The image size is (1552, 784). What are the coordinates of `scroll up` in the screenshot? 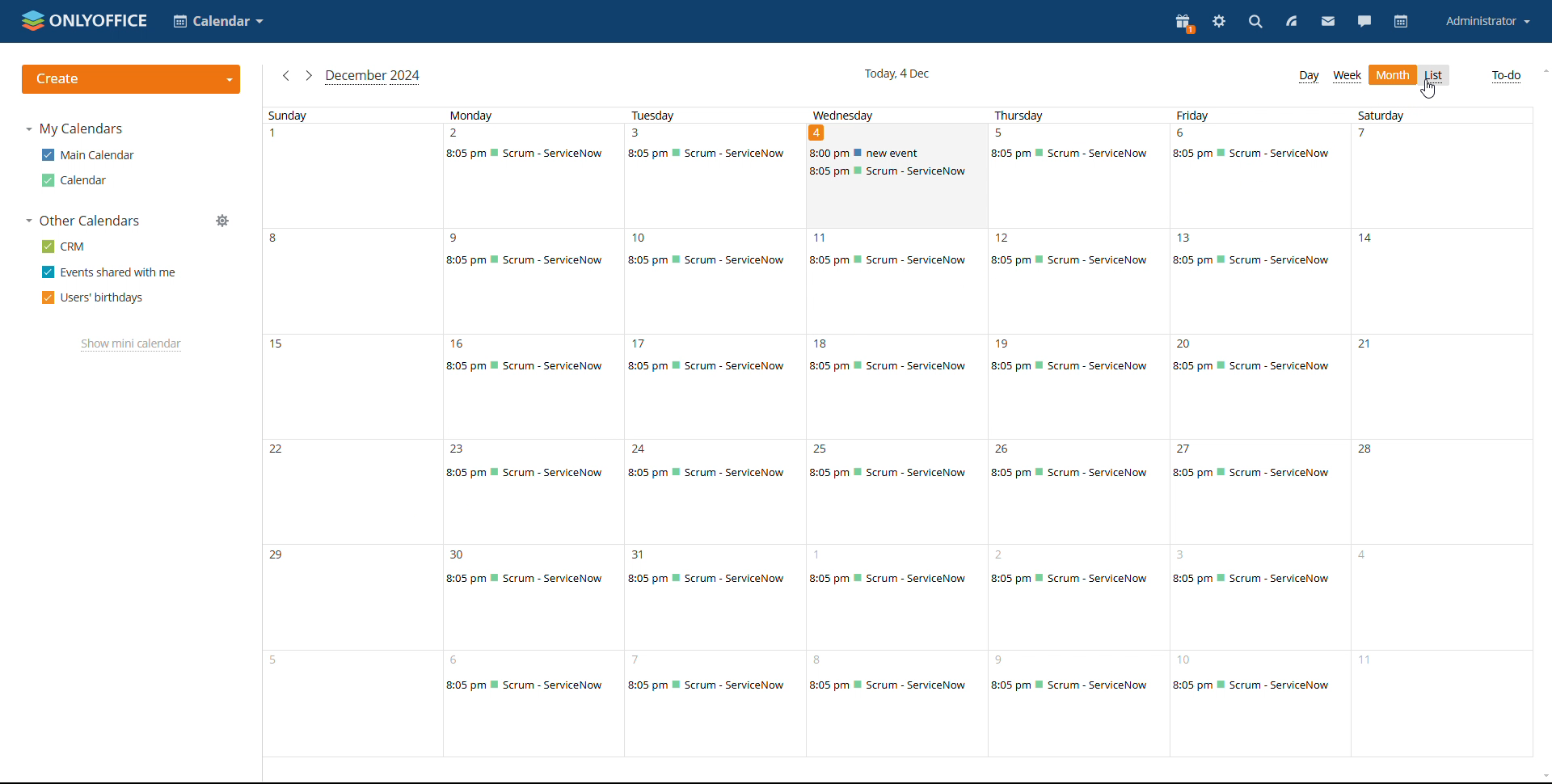 It's located at (1542, 70).